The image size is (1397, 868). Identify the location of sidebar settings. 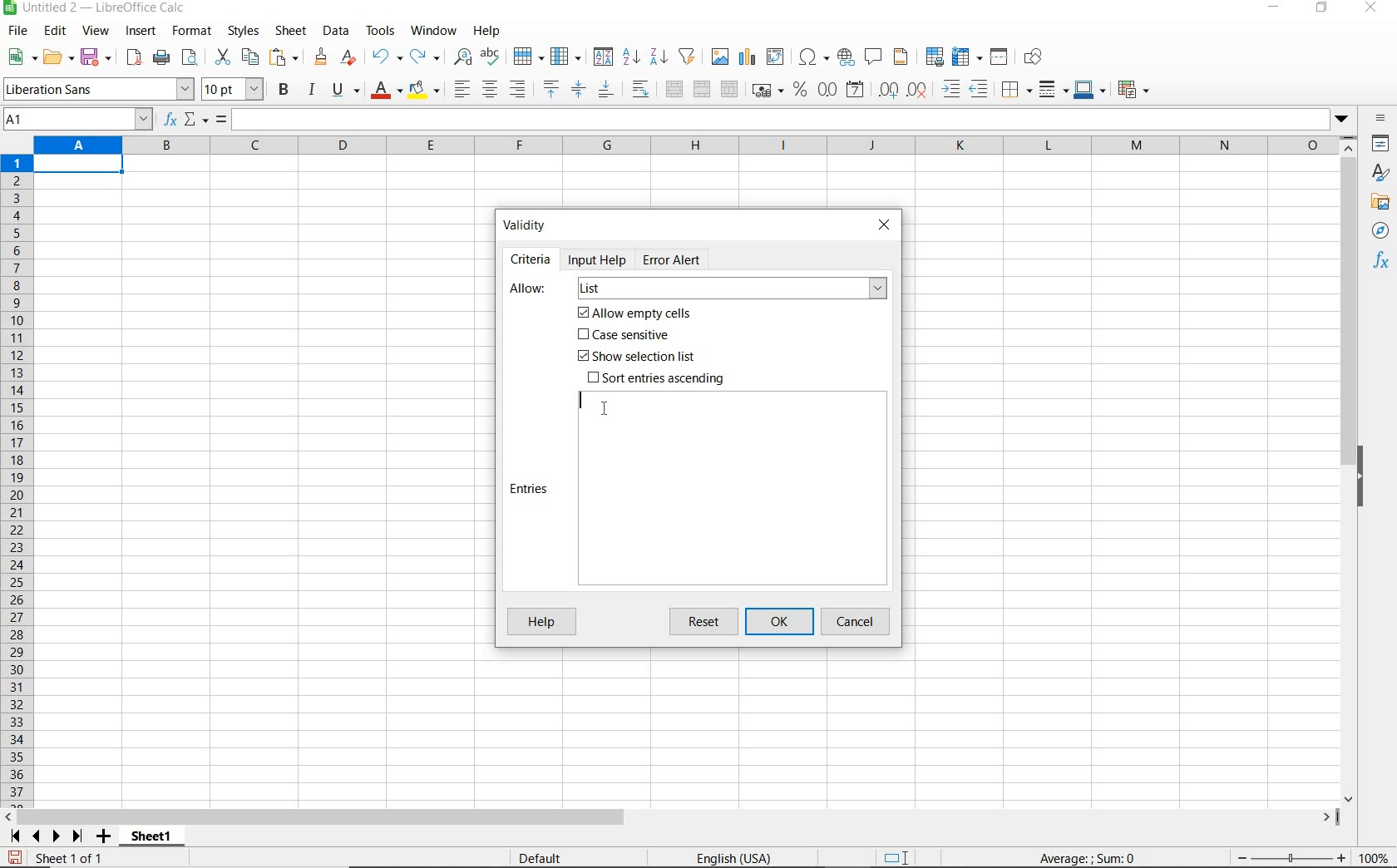
(1381, 120).